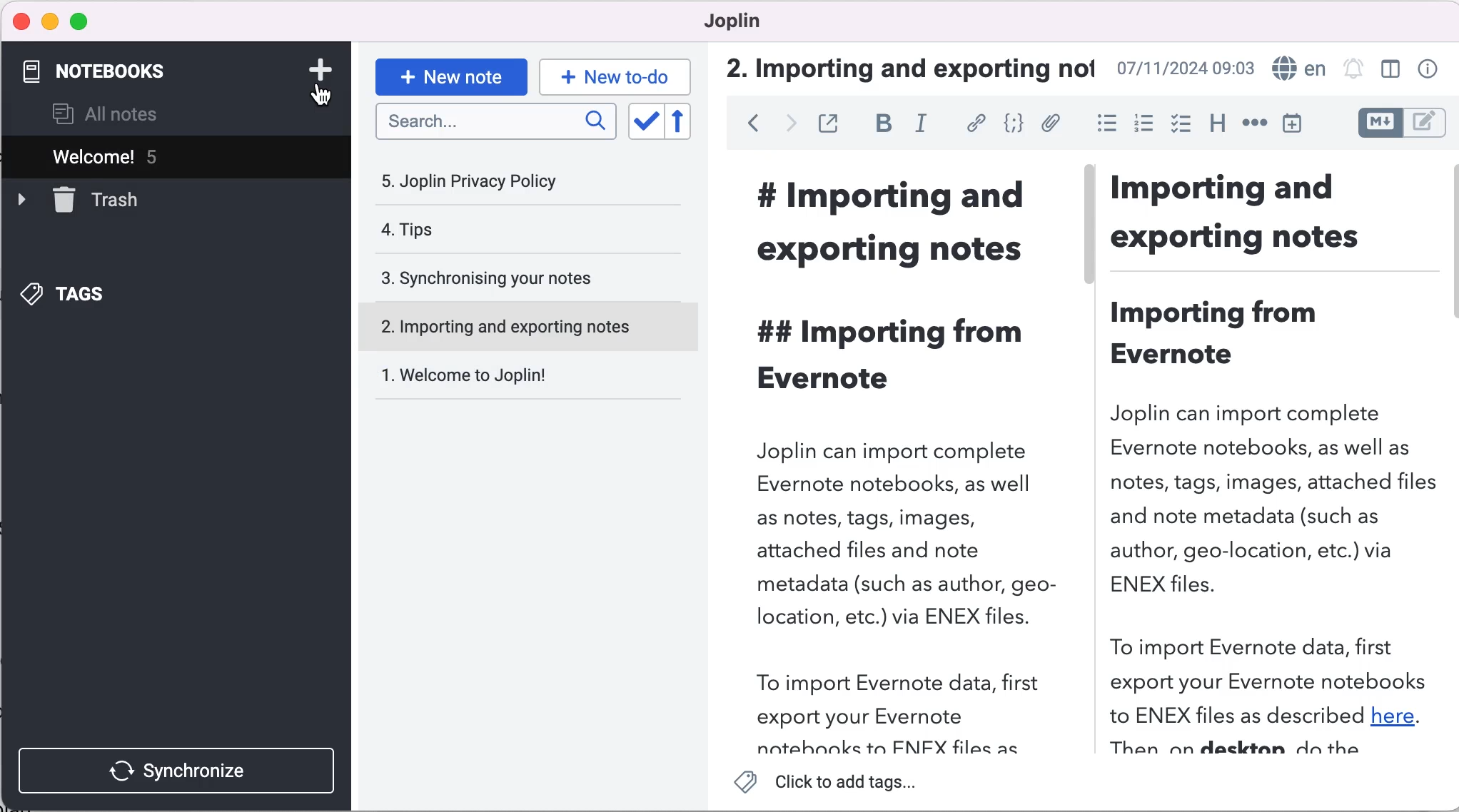  What do you see at coordinates (128, 160) in the screenshot?
I see `welcome! 5` at bounding box center [128, 160].